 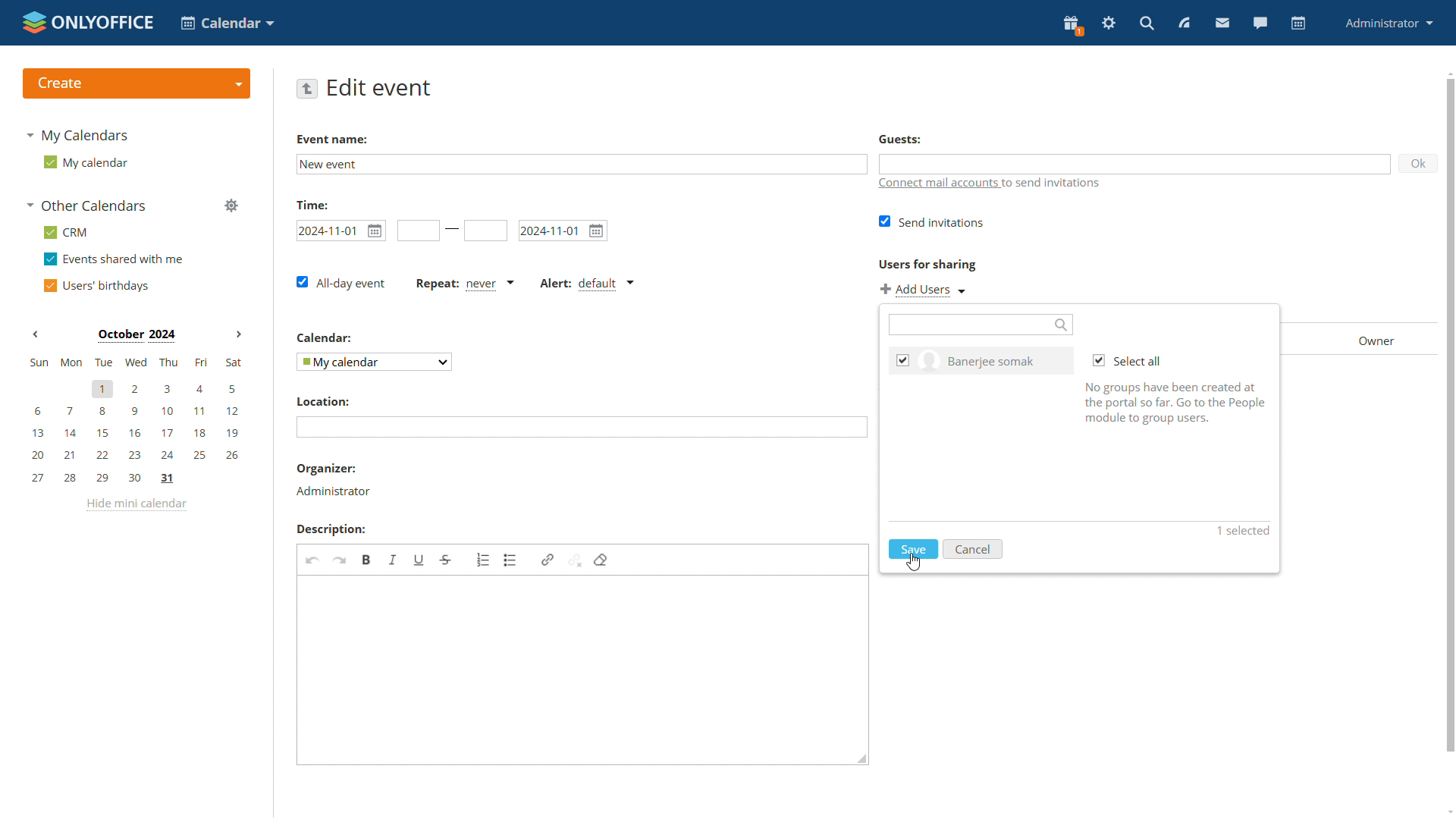 I want to click on serringas, so click(x=1109, y=24).